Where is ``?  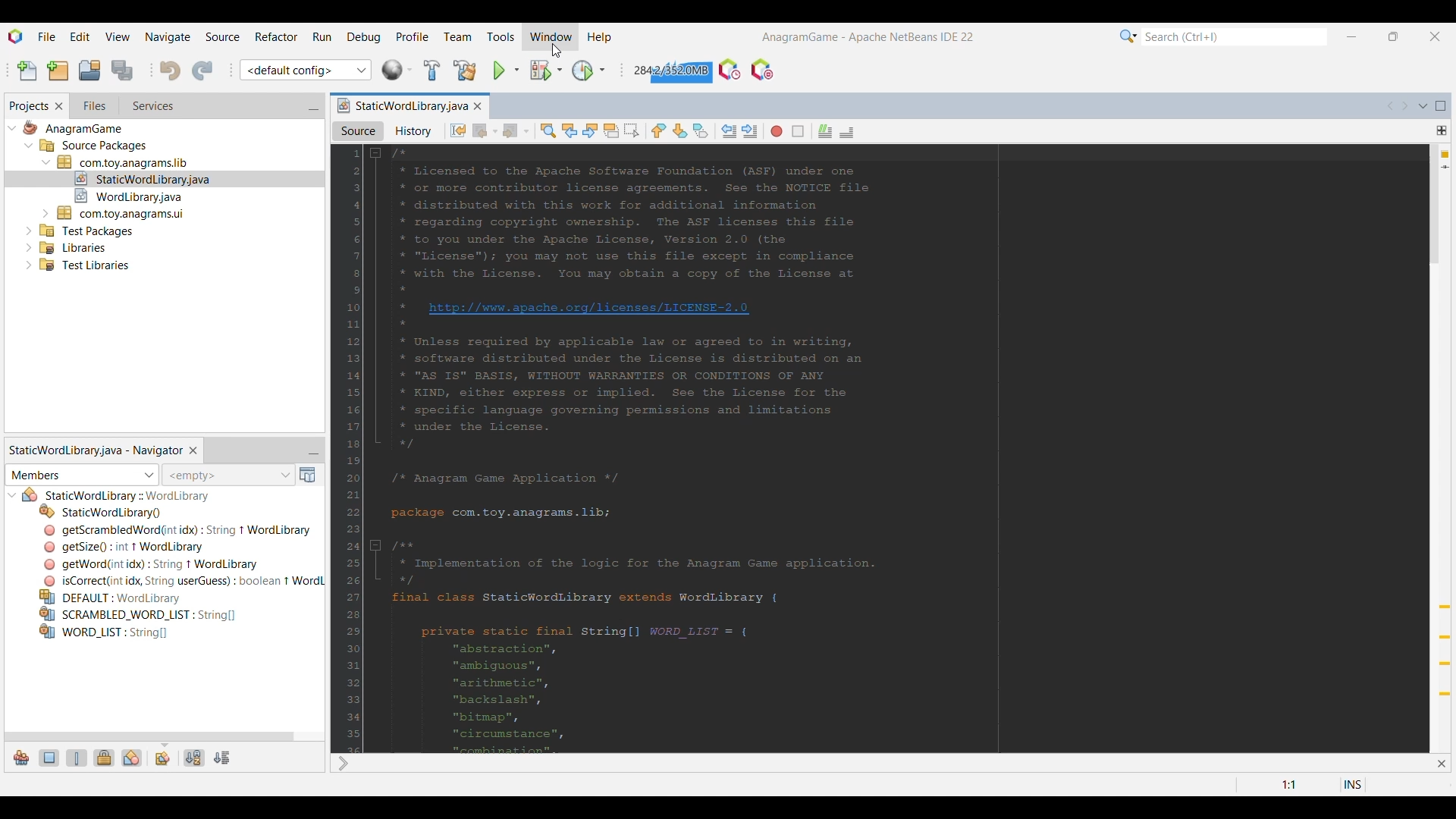  is located at coordinates (127, 161).